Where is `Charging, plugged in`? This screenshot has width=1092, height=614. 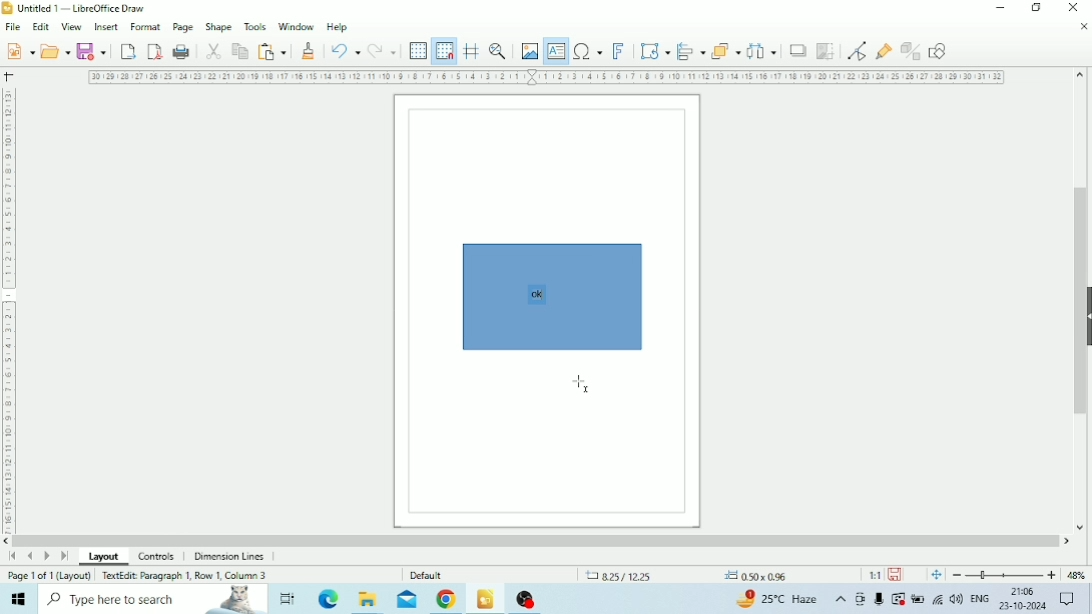
Charging, plugged in is located at coordinates (917, 599).